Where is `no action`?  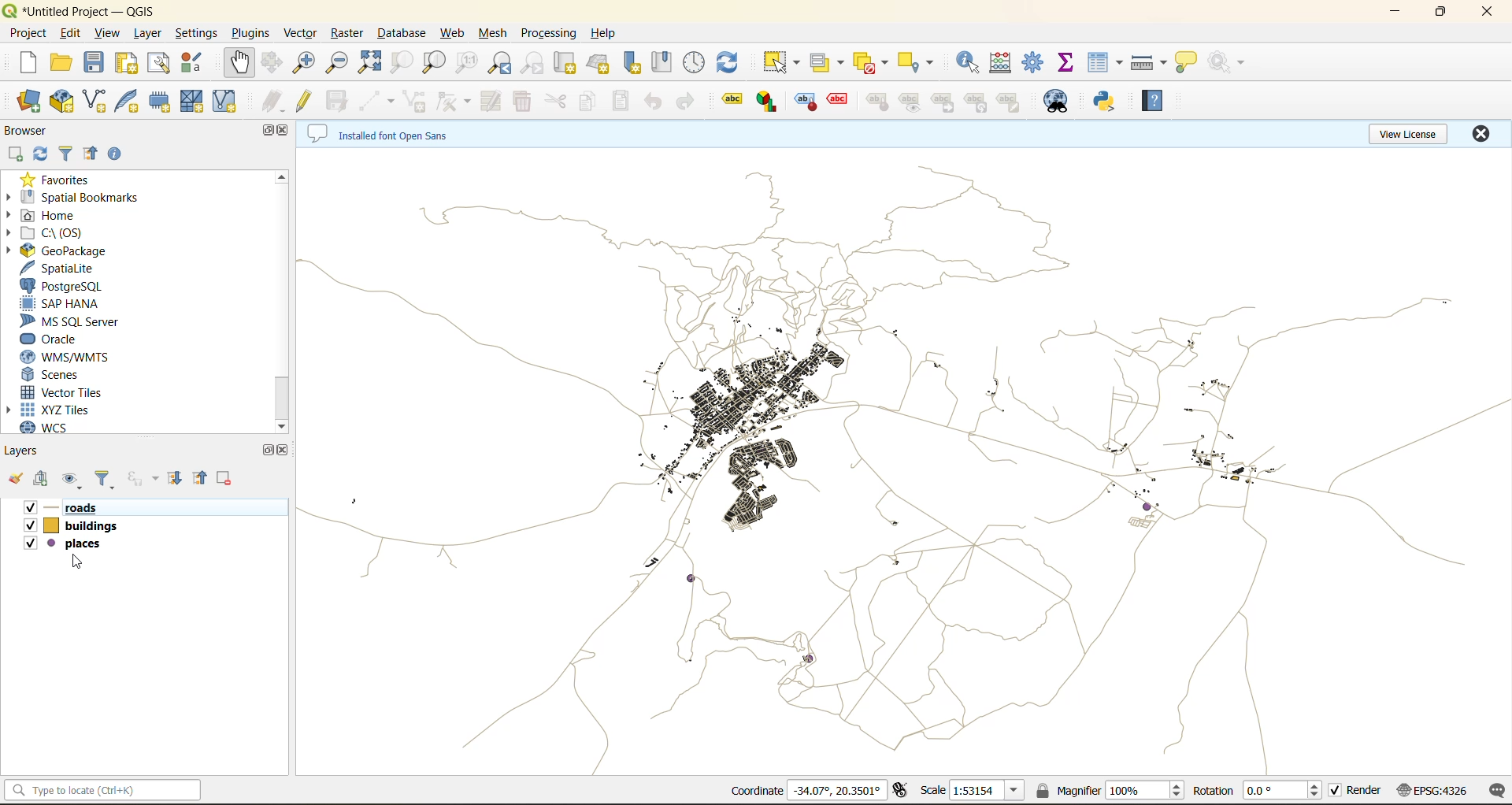 no action is located at coordinates (1228, 62).